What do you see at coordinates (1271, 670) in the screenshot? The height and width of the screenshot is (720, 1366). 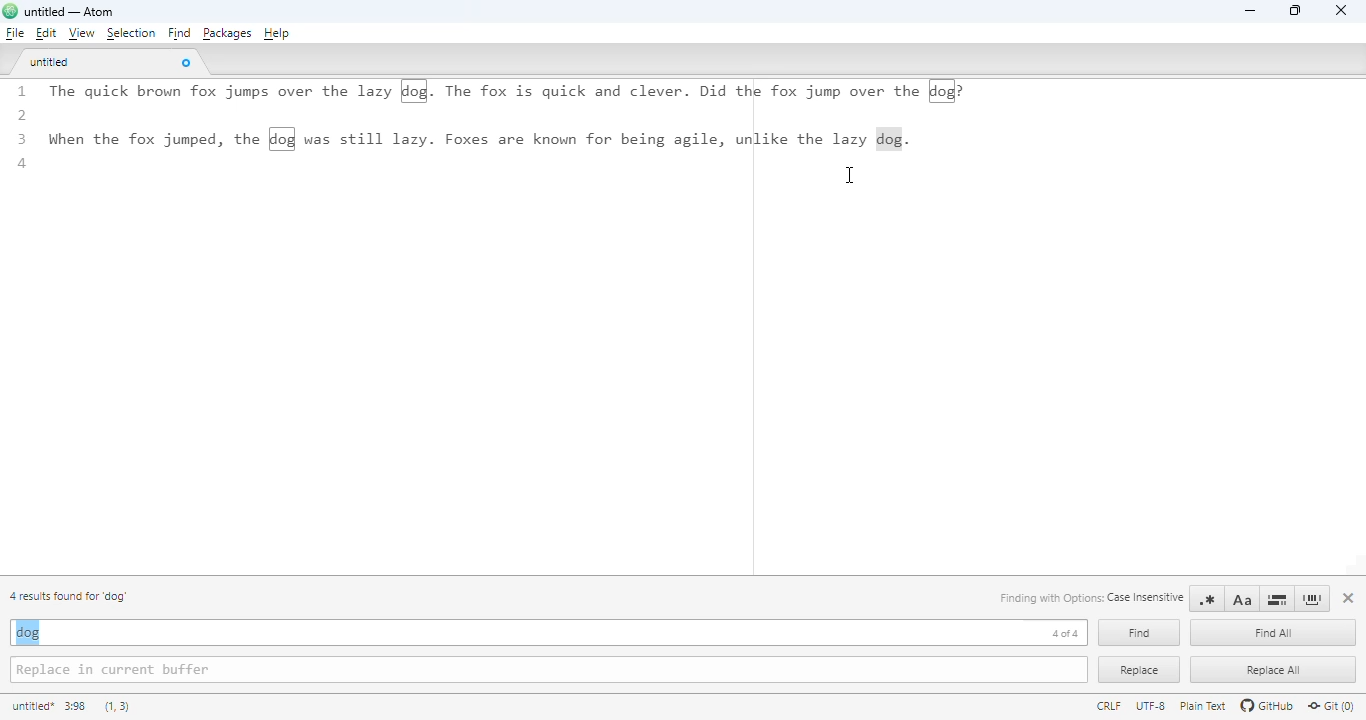 I see `replace all` at bounding box center [1271, 670].